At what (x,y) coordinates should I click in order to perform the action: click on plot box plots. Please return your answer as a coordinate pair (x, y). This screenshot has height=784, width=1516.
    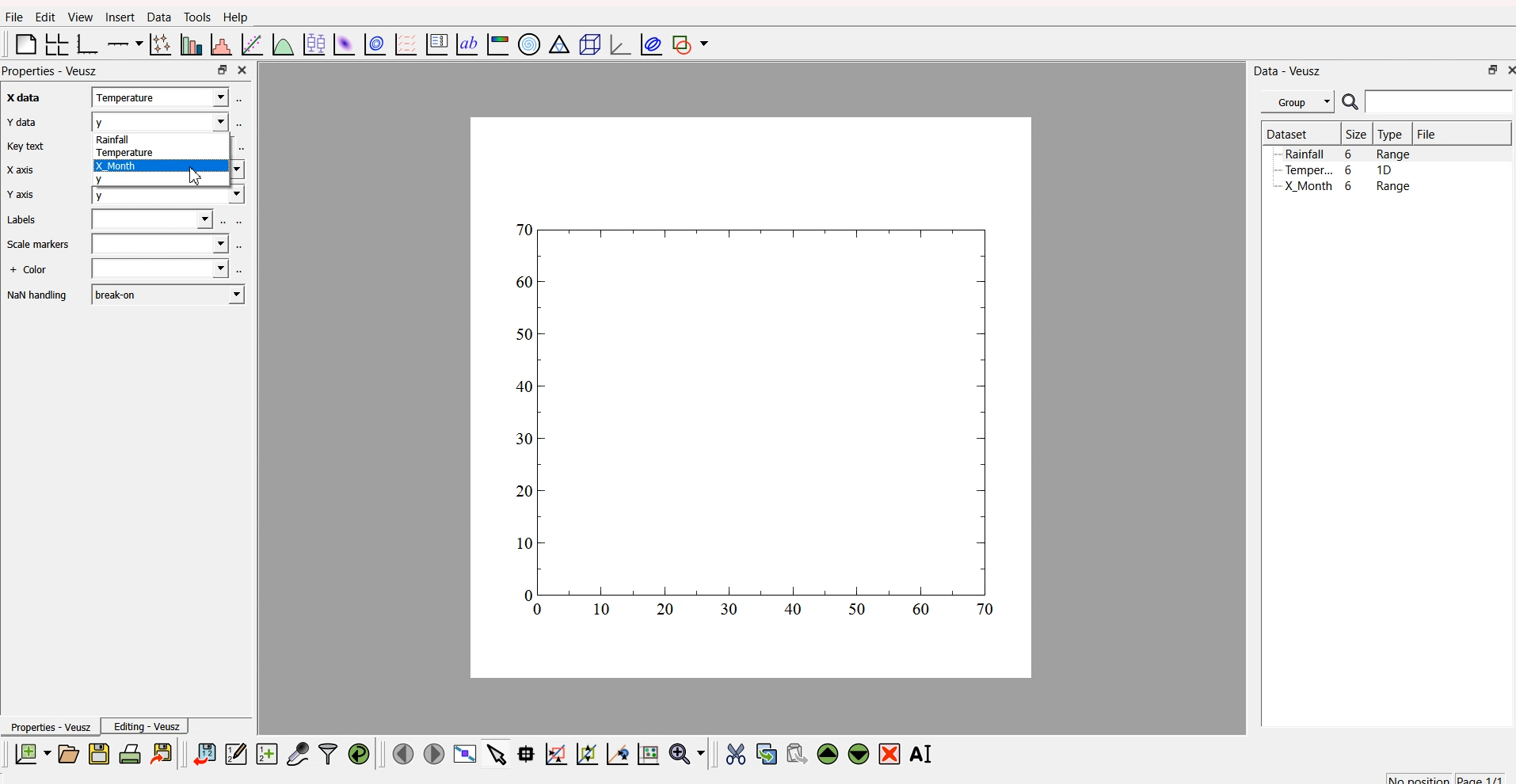
    Looking at the image, I should click on (314, 43).